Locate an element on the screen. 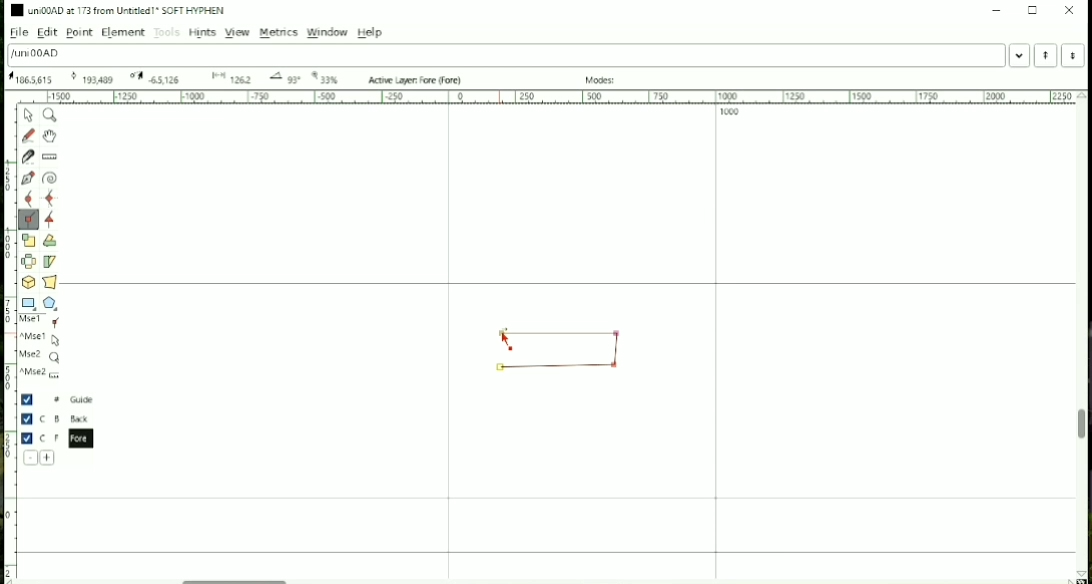 The height and width of the screenshot is (584, 1092). Add a curve point always either horizontal or vertical is located at coordinates (51, 198).